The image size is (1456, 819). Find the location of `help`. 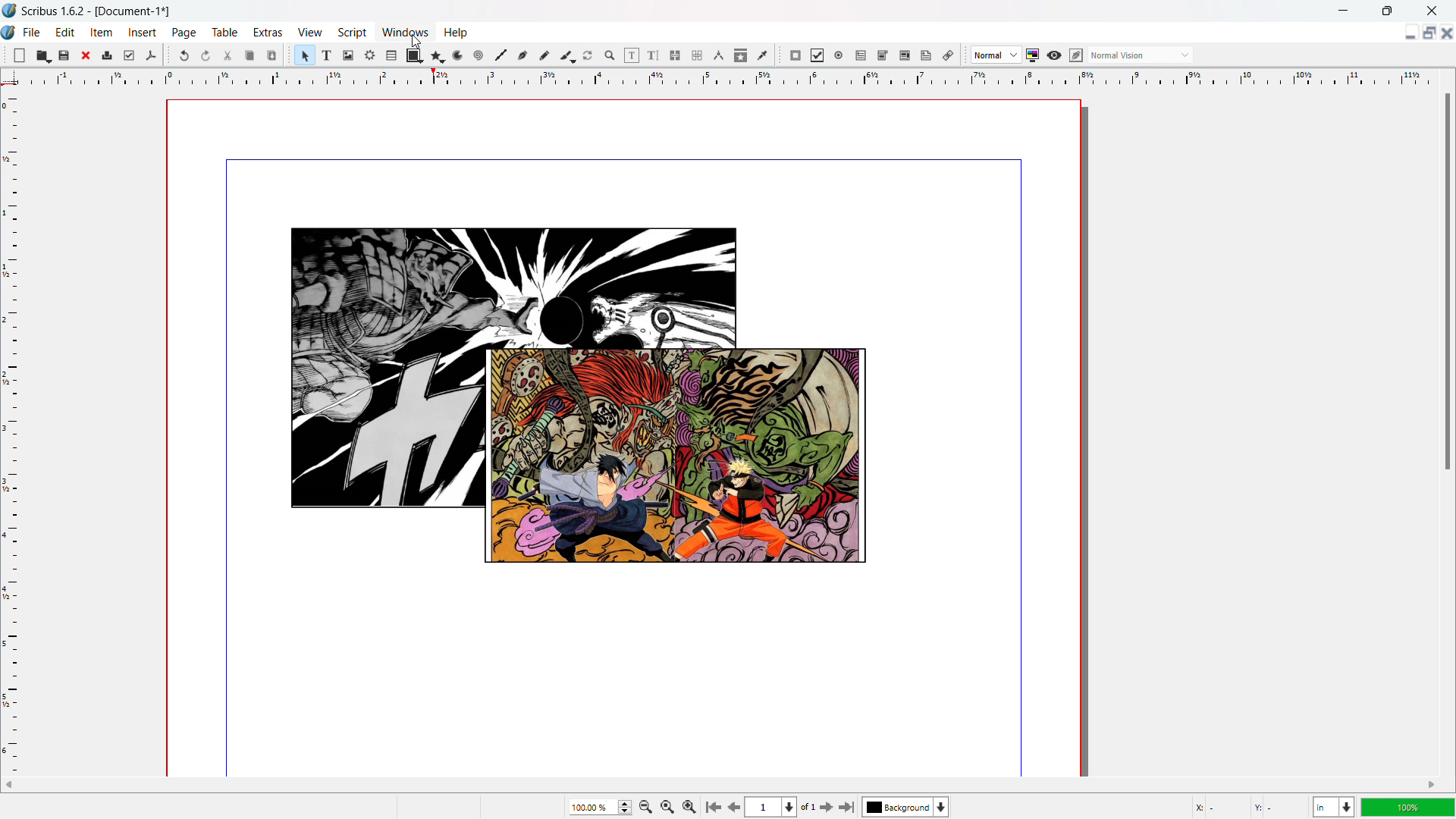

help is located at coordinates (455, 33).